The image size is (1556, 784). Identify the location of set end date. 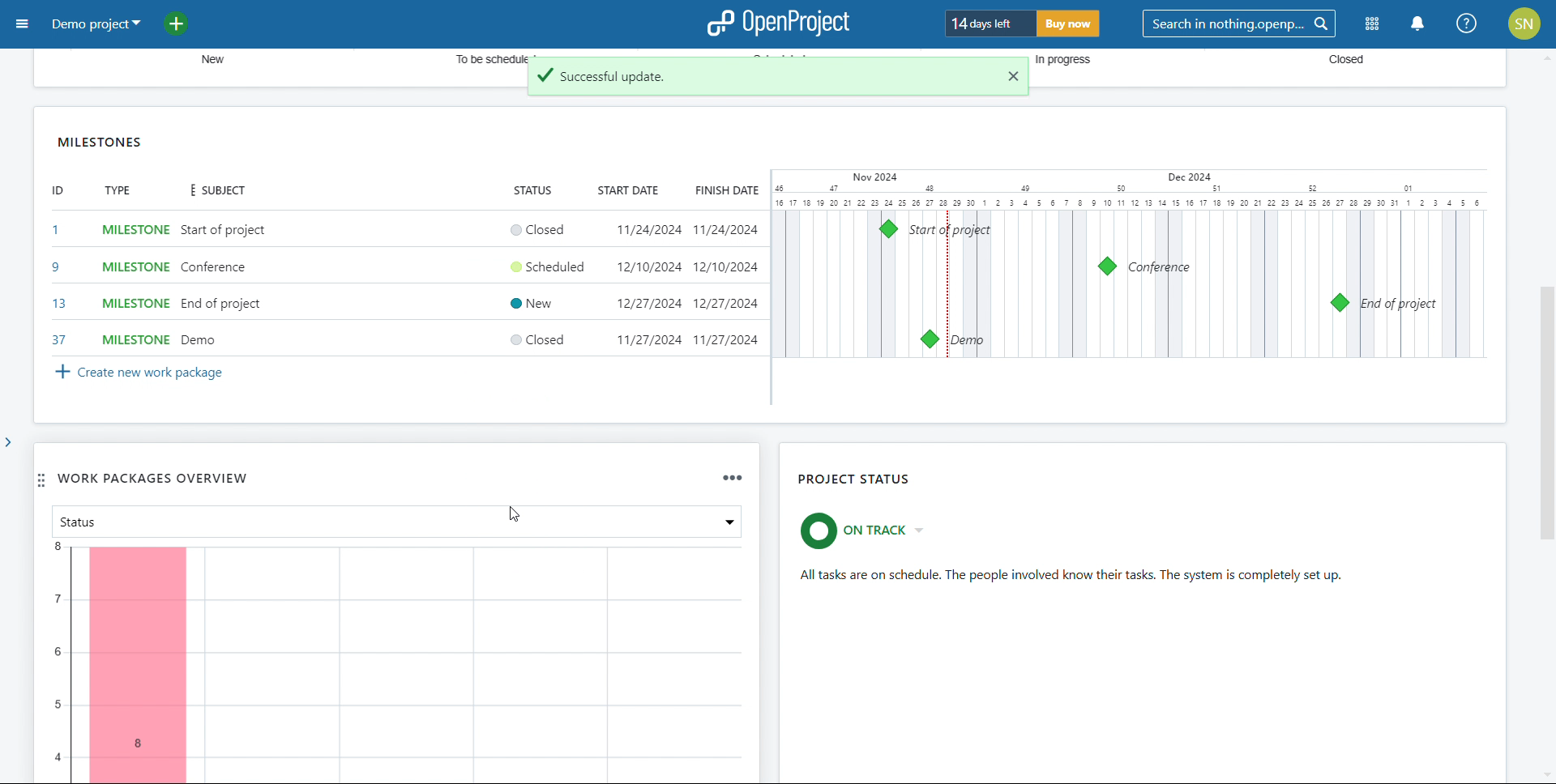
(728, 284).